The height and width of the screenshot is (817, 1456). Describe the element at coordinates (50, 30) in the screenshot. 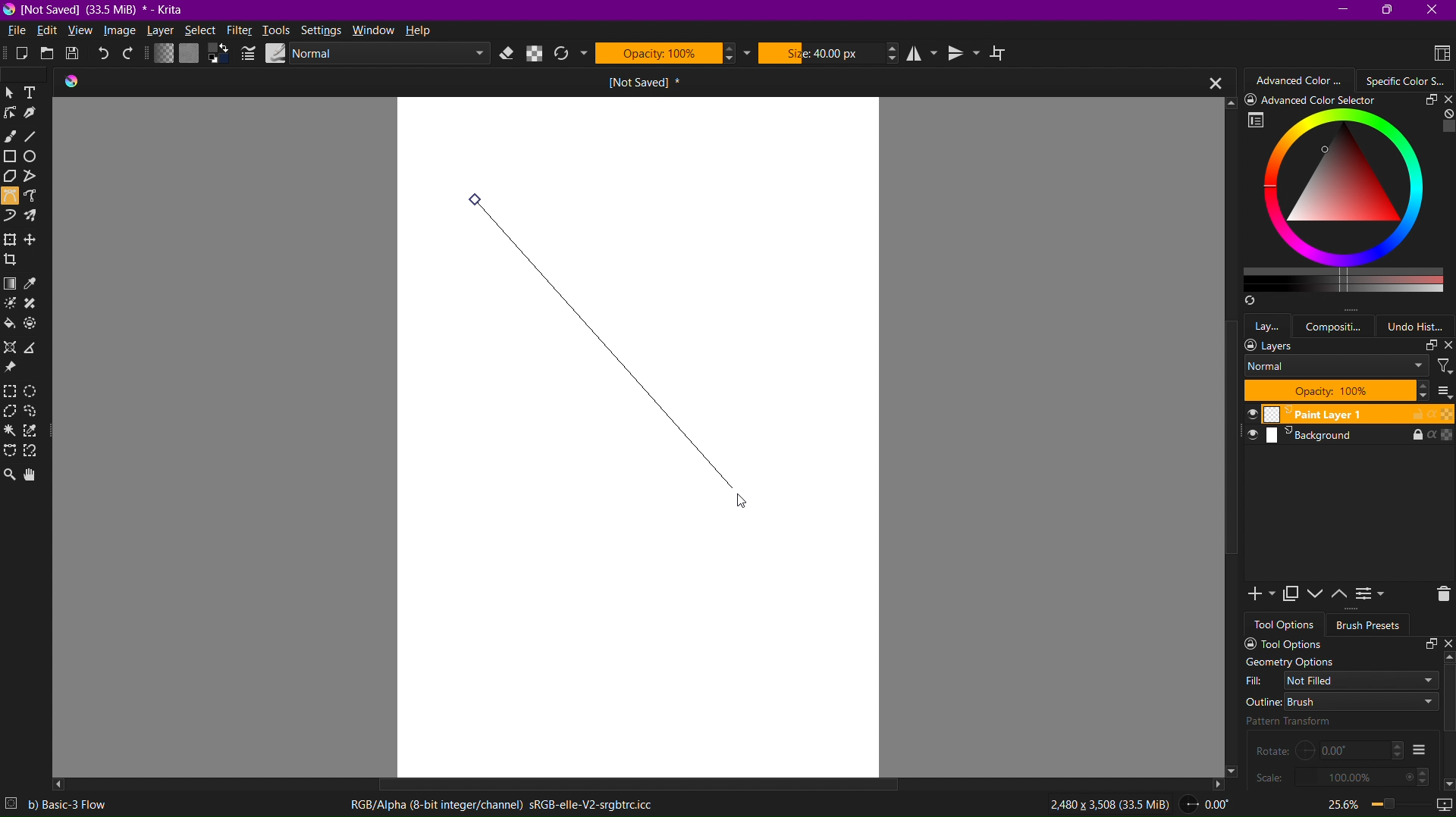

I see `Edit` at that location.